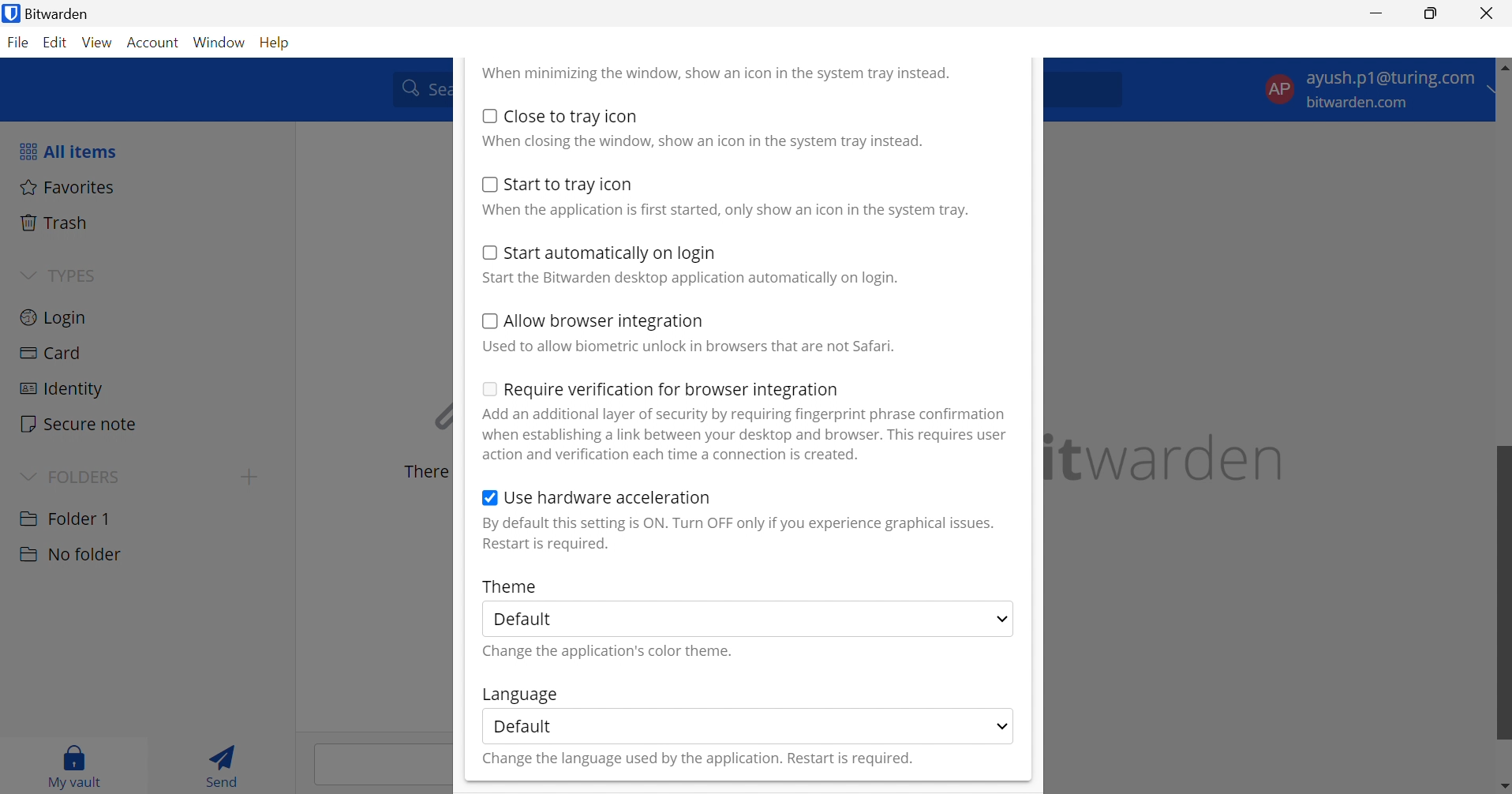 This screenshot has width=1512, height=794. I want to click on View, so click(99, 43).